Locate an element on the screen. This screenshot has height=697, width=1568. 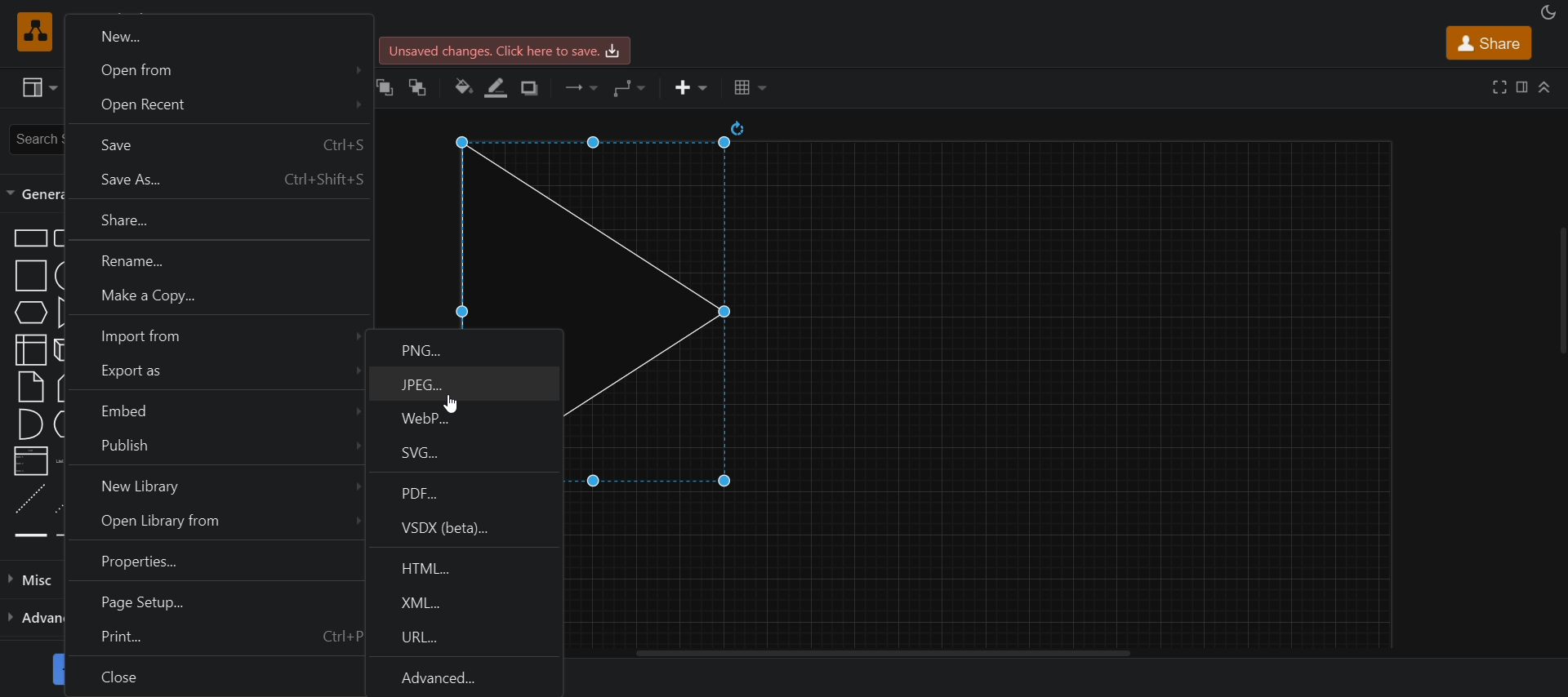
png is located at coordinates (465, 346).